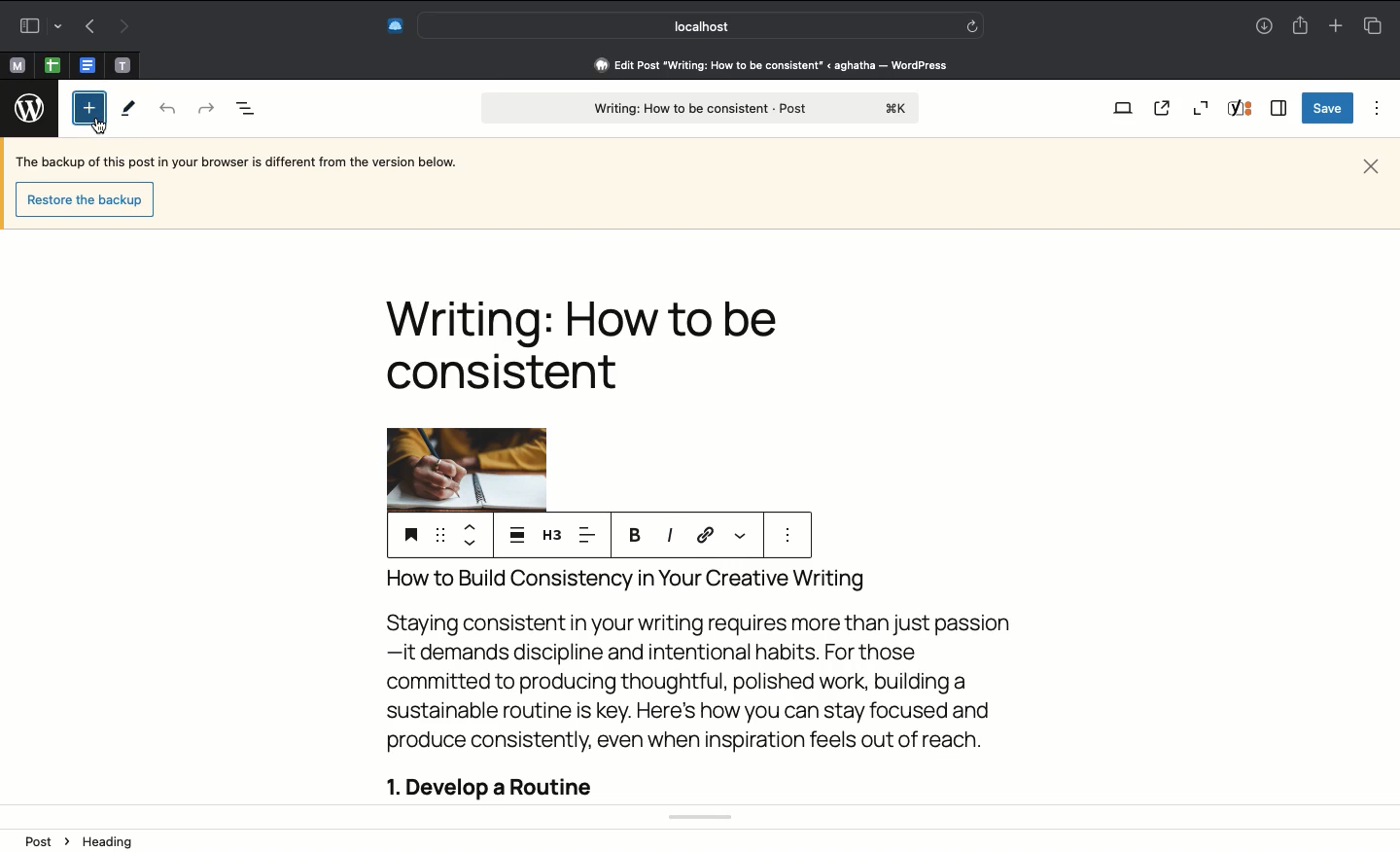 This screenshot has width=1400, height=852. What do you see at coordinates (91, 131) in the screenshot?
I see `cursor` at bounding box center [91, 131].